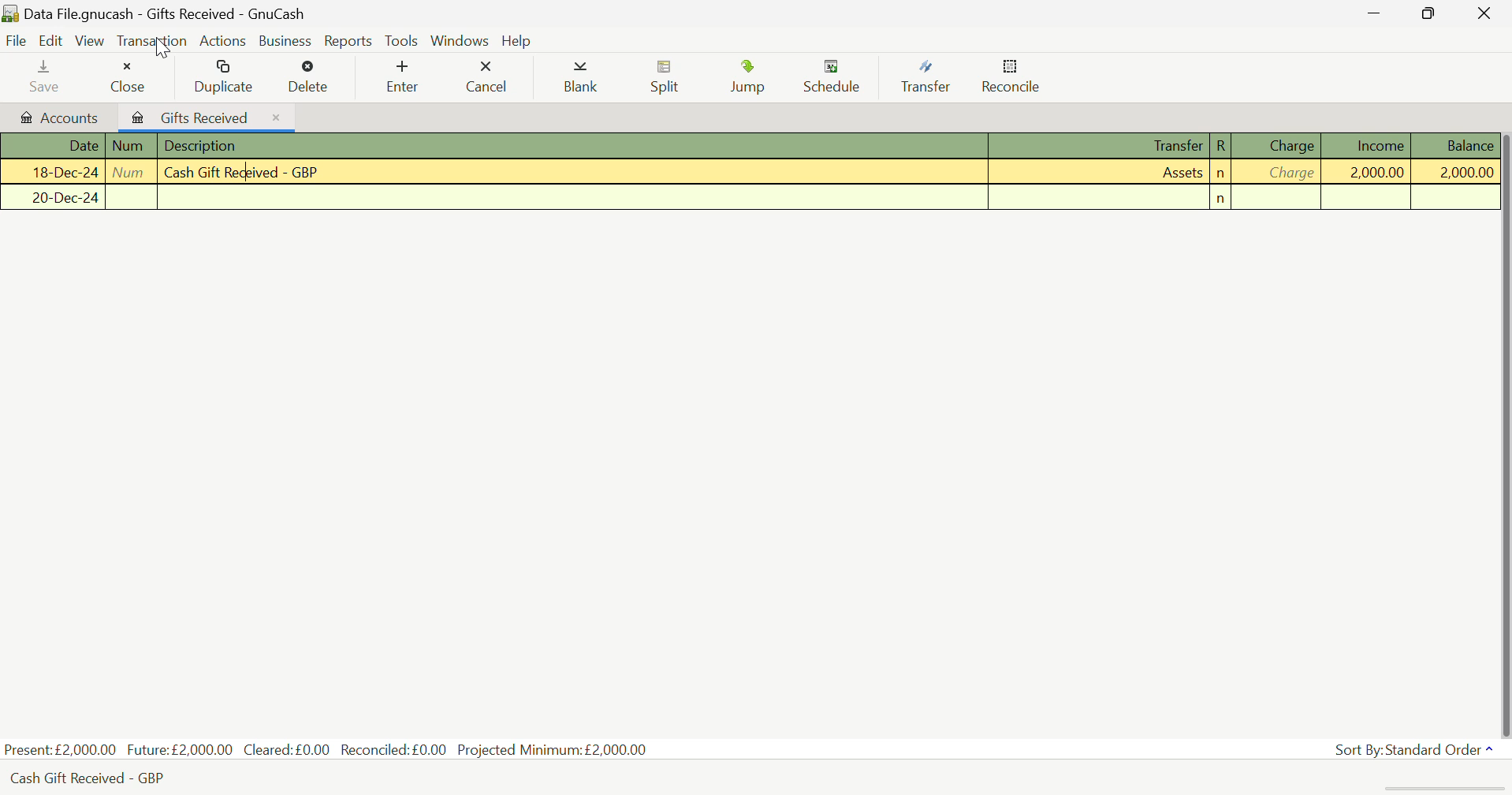 Image resolution: width=1512 pixels, height=795 pixels. What do you see at coordinates (932, 77) in the screenshot?
I see `Transfer` at bounding box center [932, 77].